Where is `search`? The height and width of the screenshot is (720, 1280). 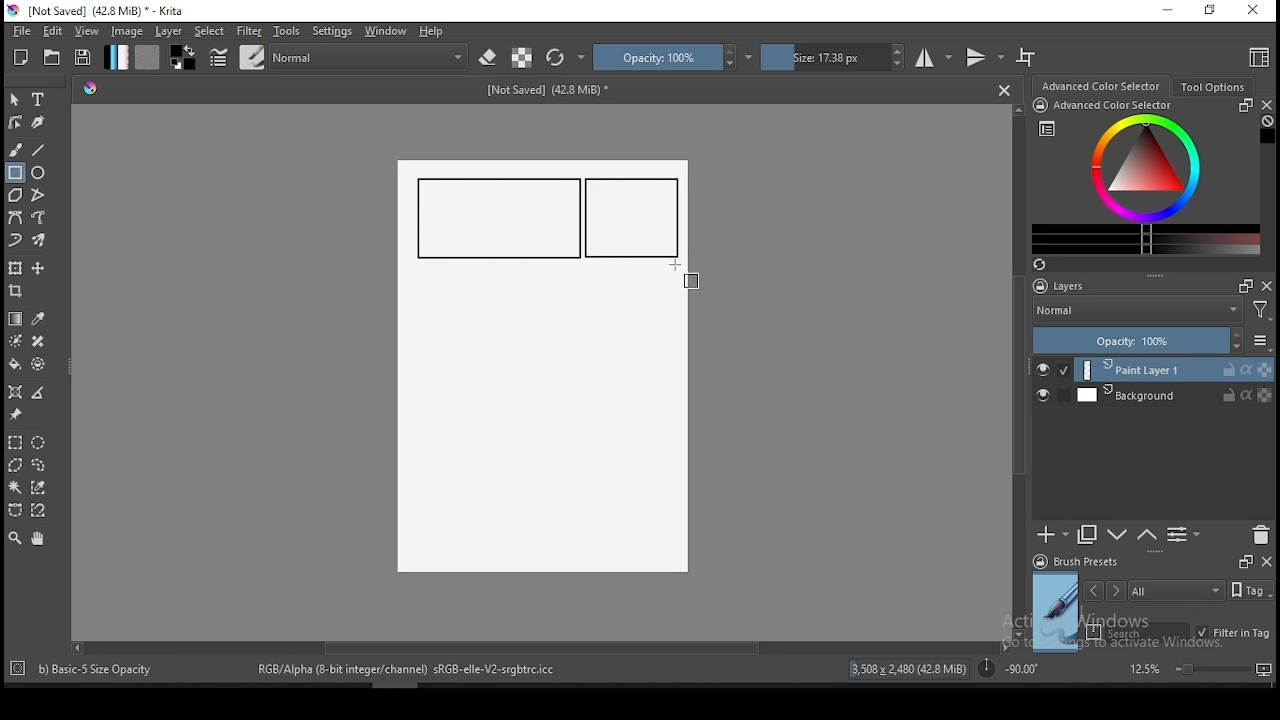
search is located at coordinates (1138, 632).